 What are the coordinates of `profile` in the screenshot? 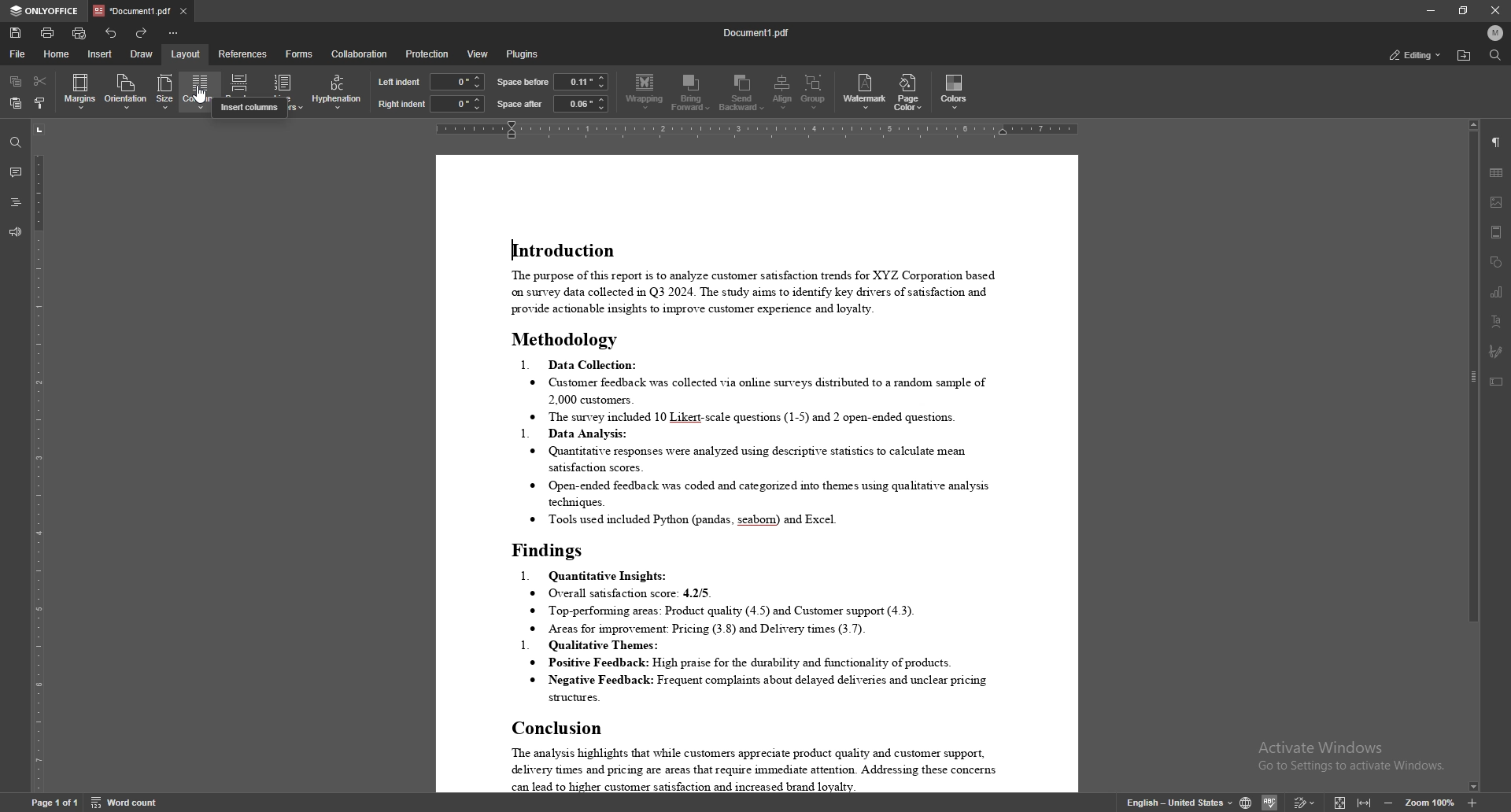 It's located at (1496, 32).